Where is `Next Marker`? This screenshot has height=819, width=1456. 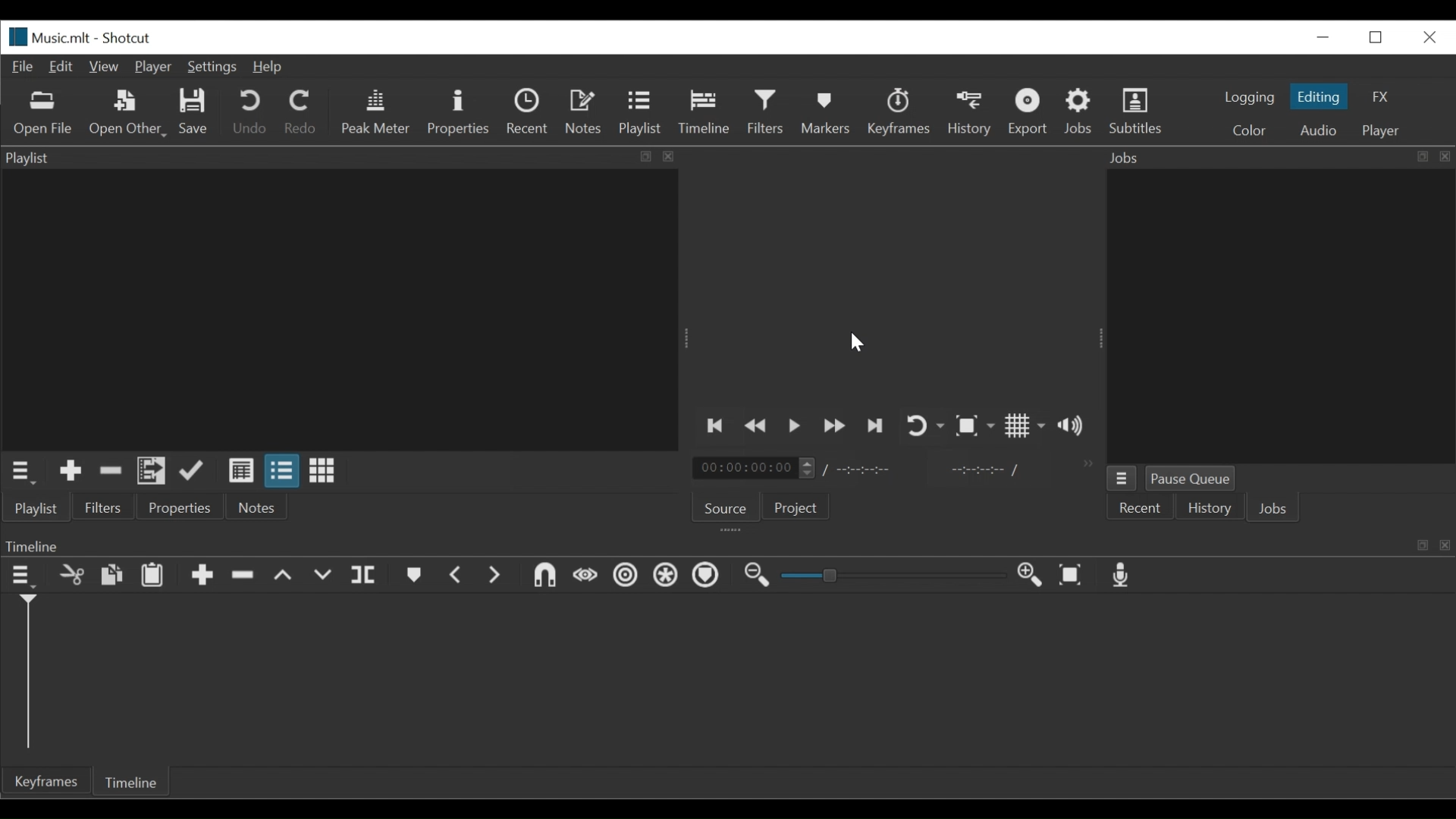 Next Marker is located at coordinates (497, 574).